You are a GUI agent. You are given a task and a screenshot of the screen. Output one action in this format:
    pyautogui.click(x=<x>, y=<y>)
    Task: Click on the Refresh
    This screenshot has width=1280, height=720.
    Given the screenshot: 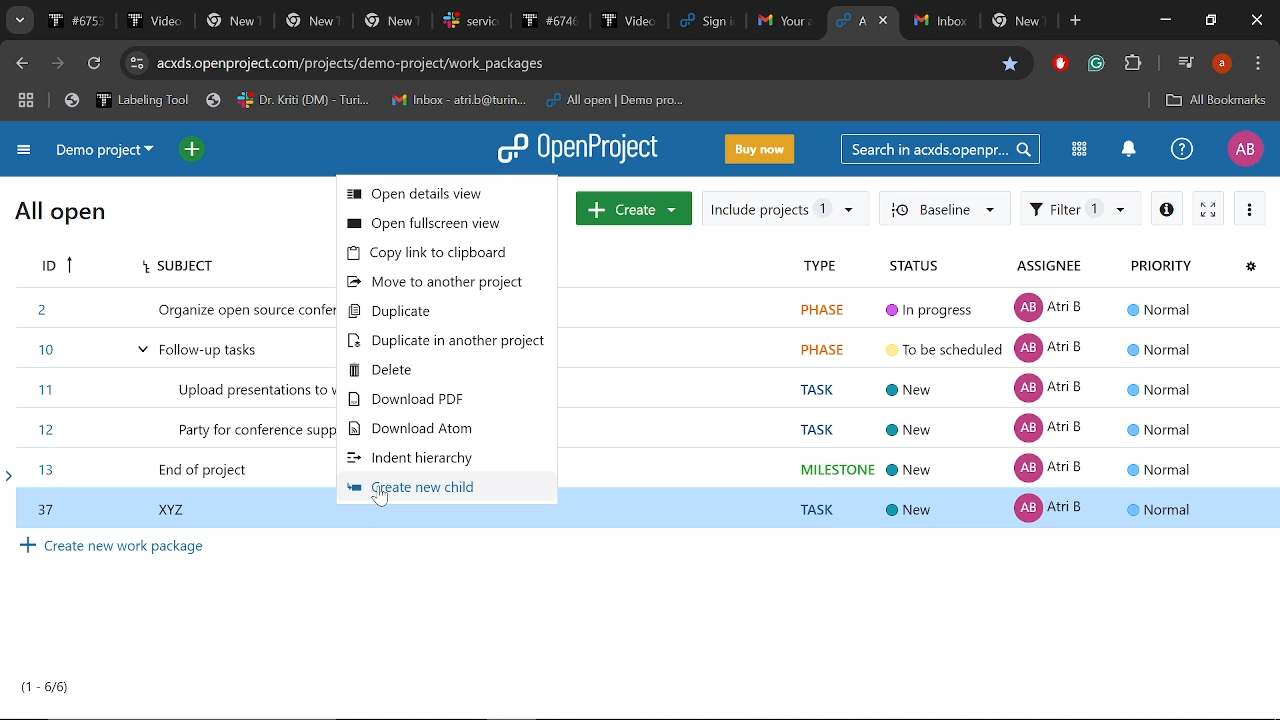 What is the action you would take?
    pyautogui.click(x=97, y=64)
    